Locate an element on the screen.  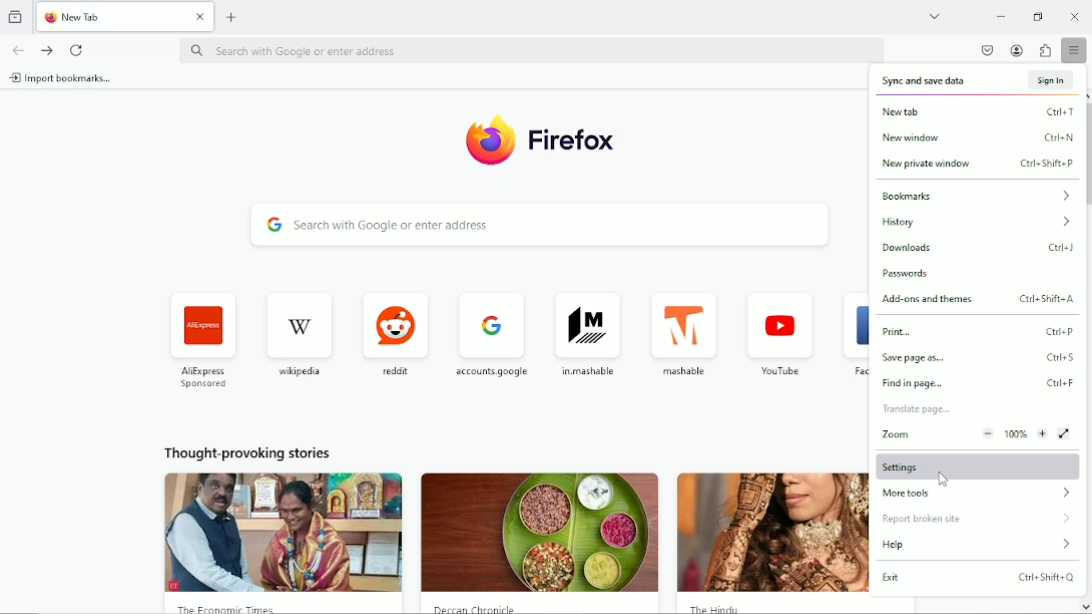
new tab is located at coordinates (979, 111).